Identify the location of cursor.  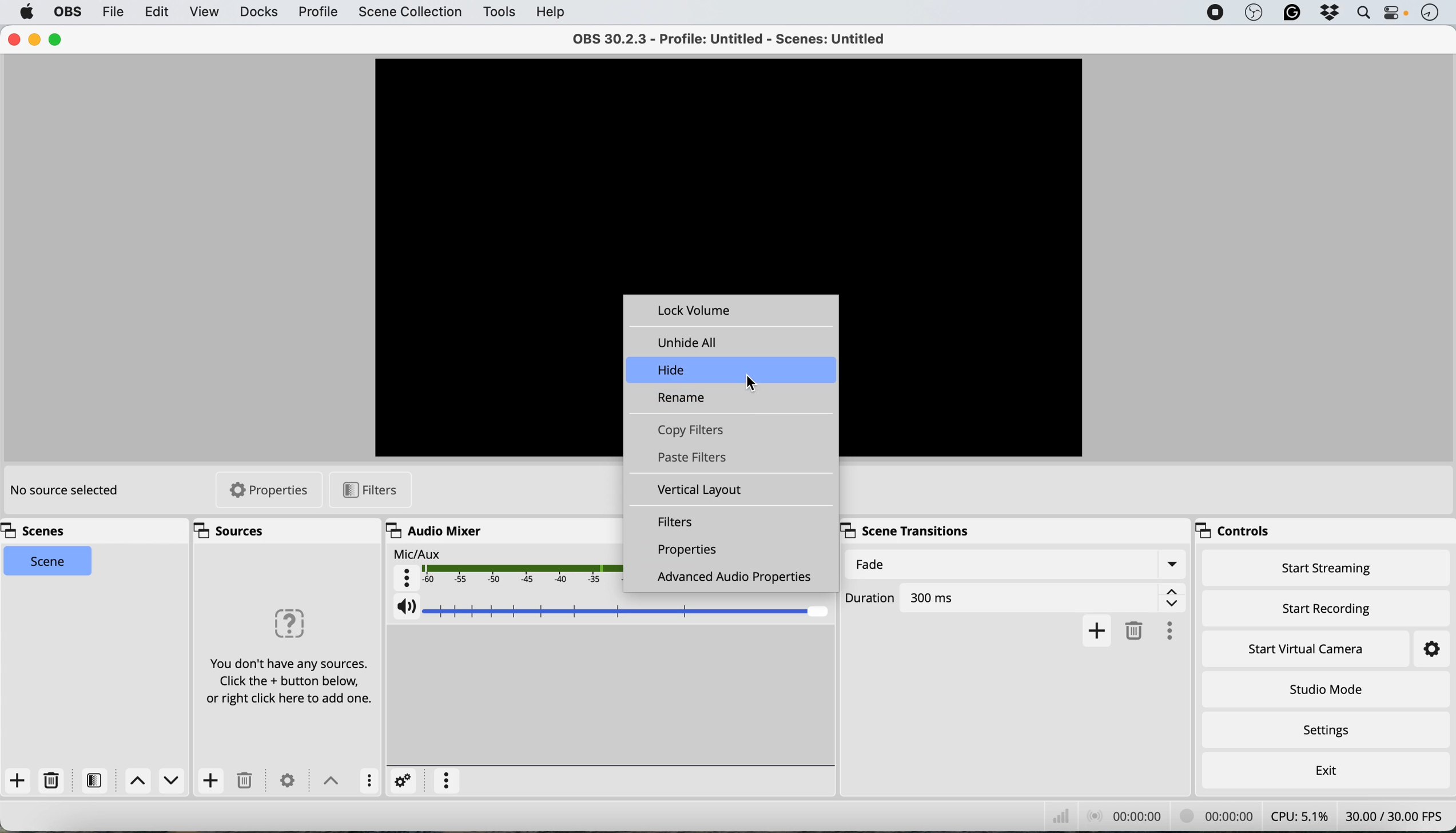
(754, 382).